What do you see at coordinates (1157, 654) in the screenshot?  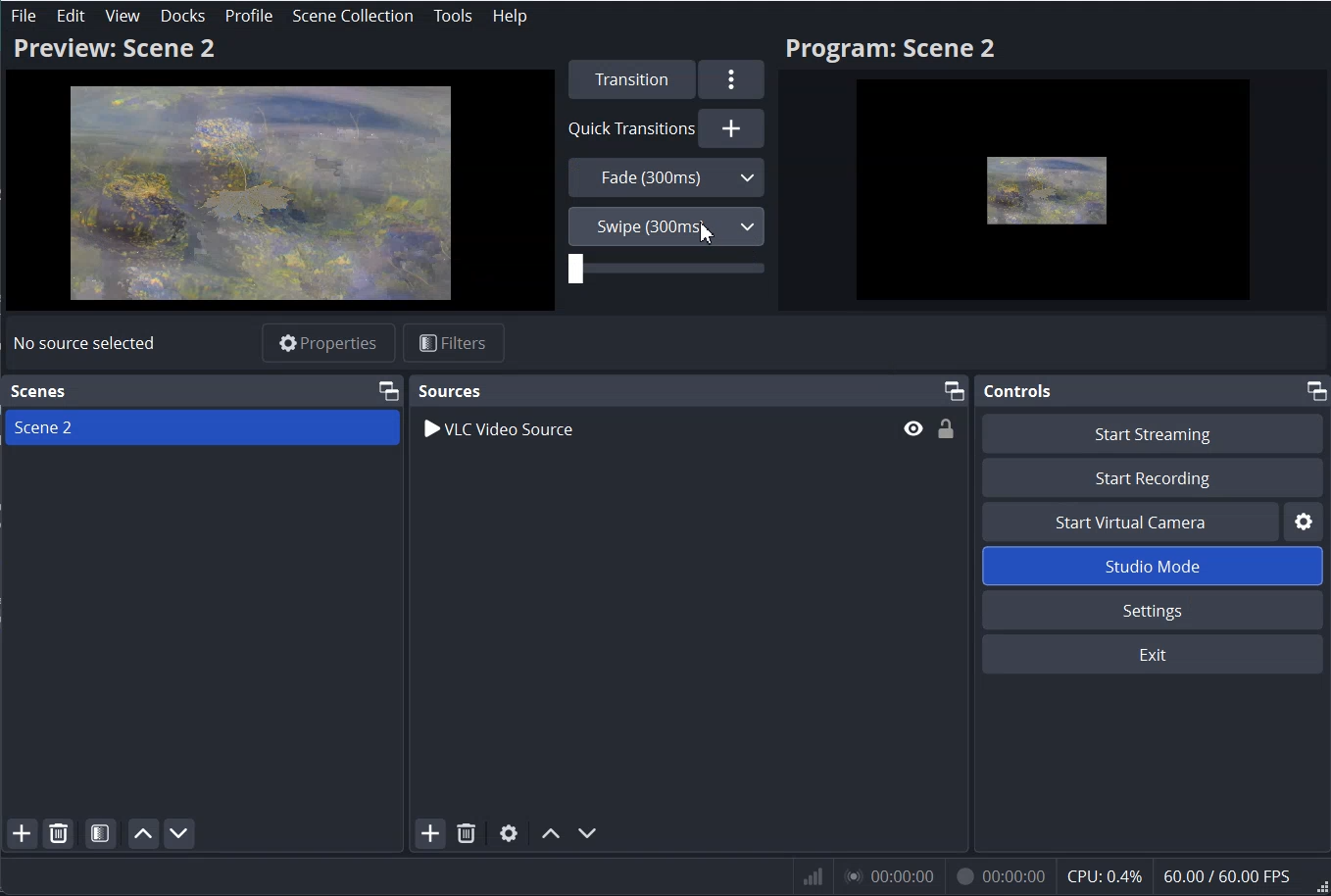 I see `Exit` at bounding box center [1157, 654].